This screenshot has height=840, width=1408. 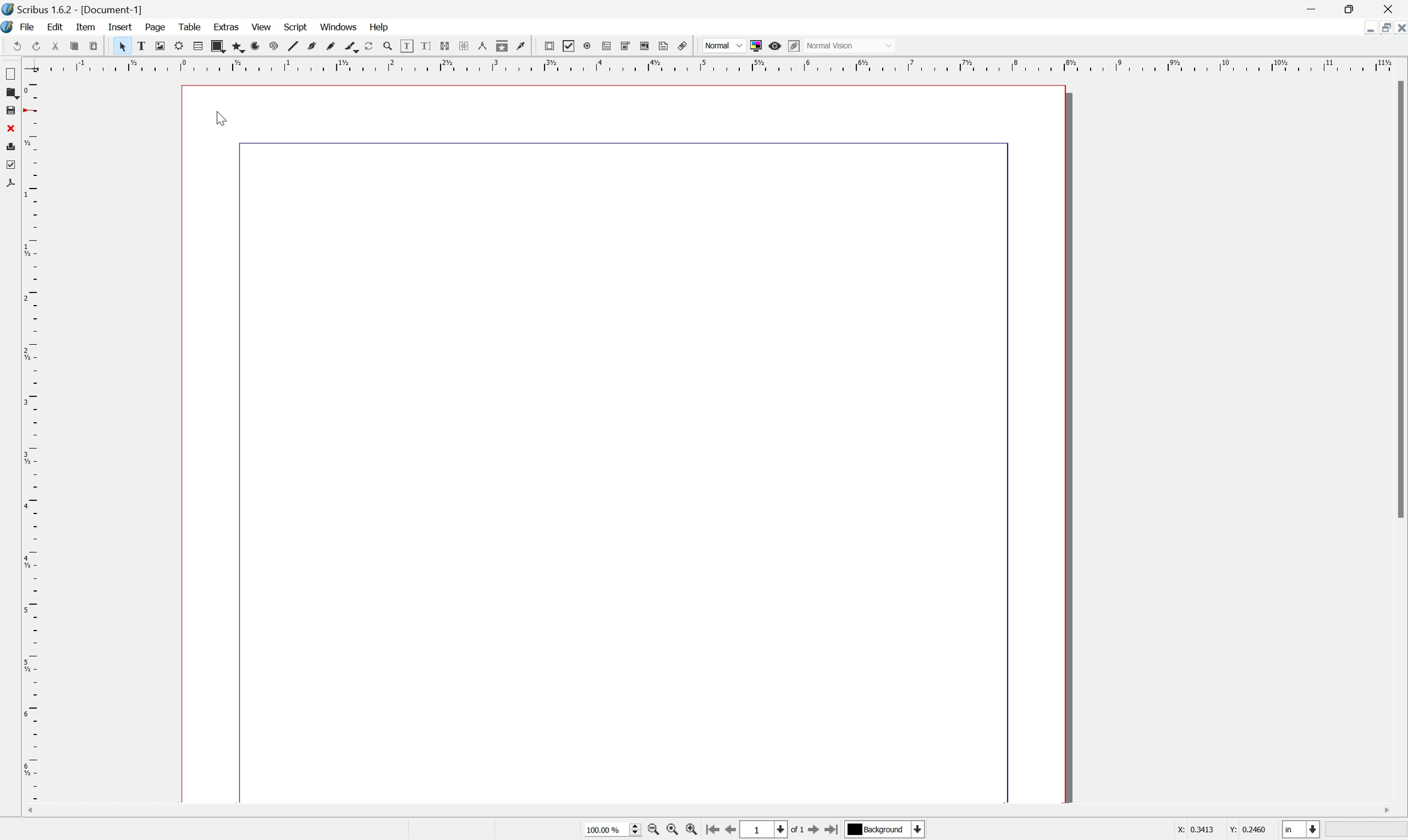 What do you see at coordinates (588, 46) in the screenshot?
I see `link text frames` at bounding box center [588, 46].